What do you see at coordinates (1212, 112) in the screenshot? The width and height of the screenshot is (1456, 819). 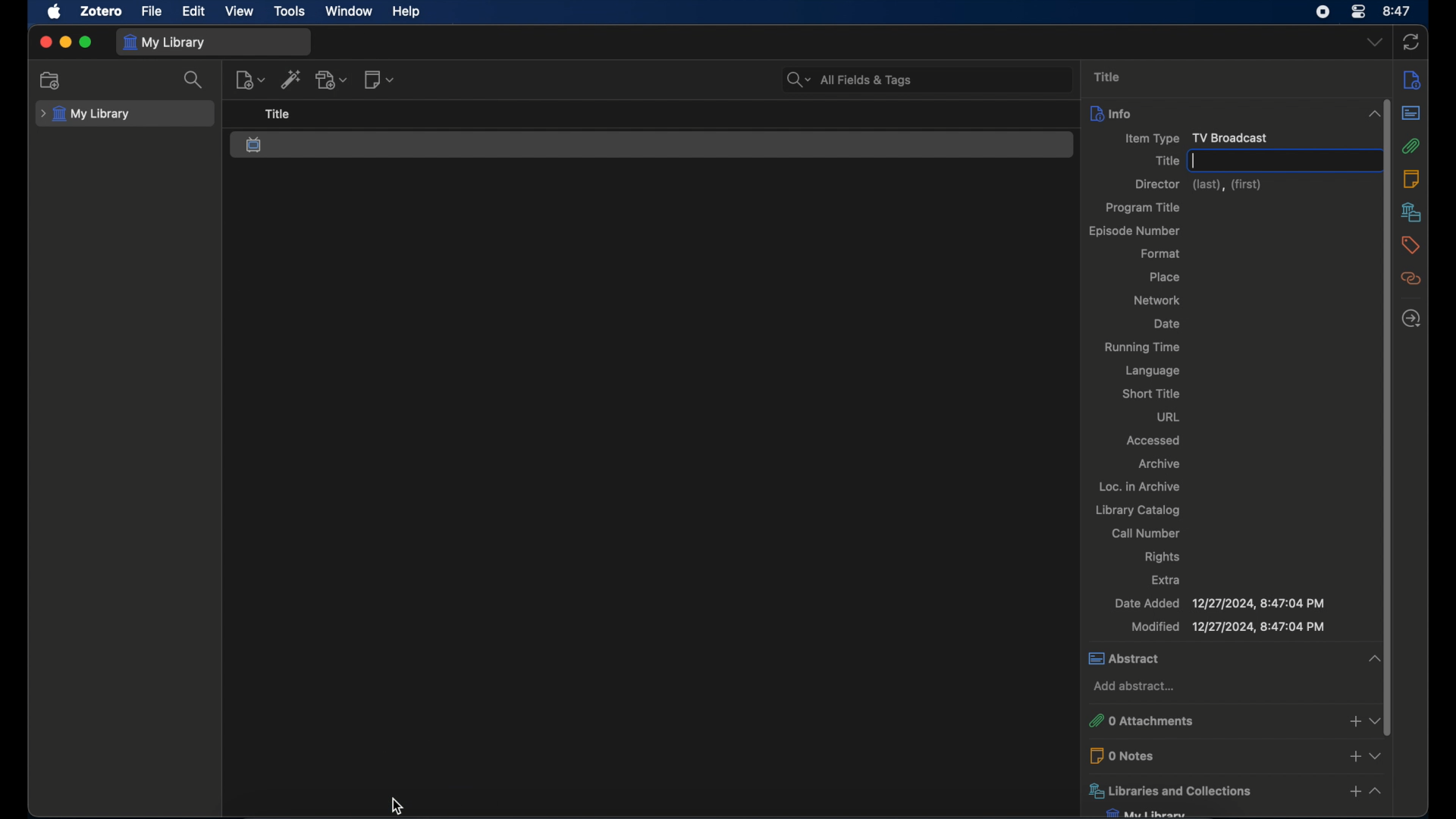 I see `info` at bounding box center [1212, 112].